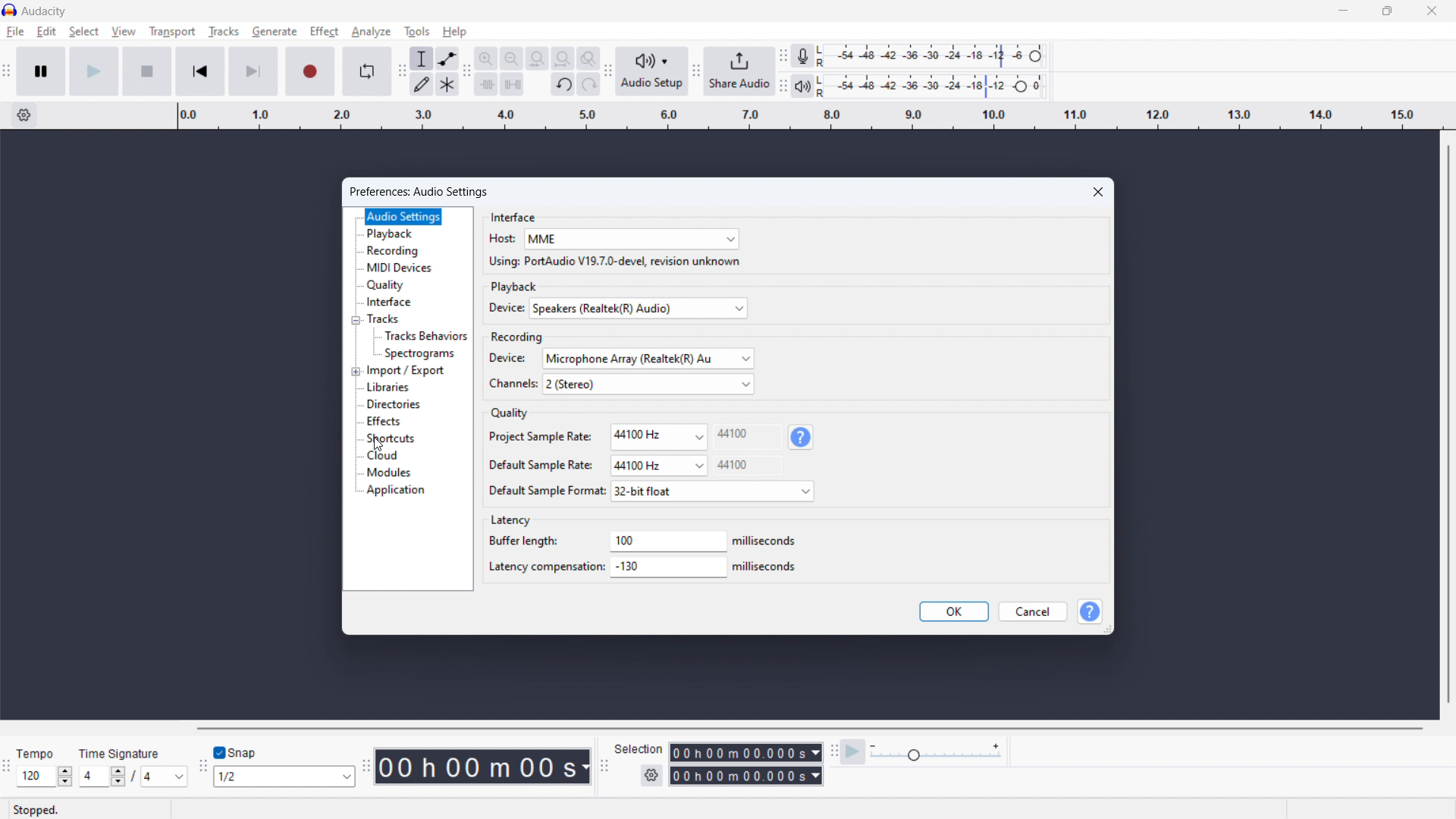 The image size is (1456, 819). What do you see at coordinates (633, 239) in the screenshot?
I see `host` at bounding box center [633, 239].